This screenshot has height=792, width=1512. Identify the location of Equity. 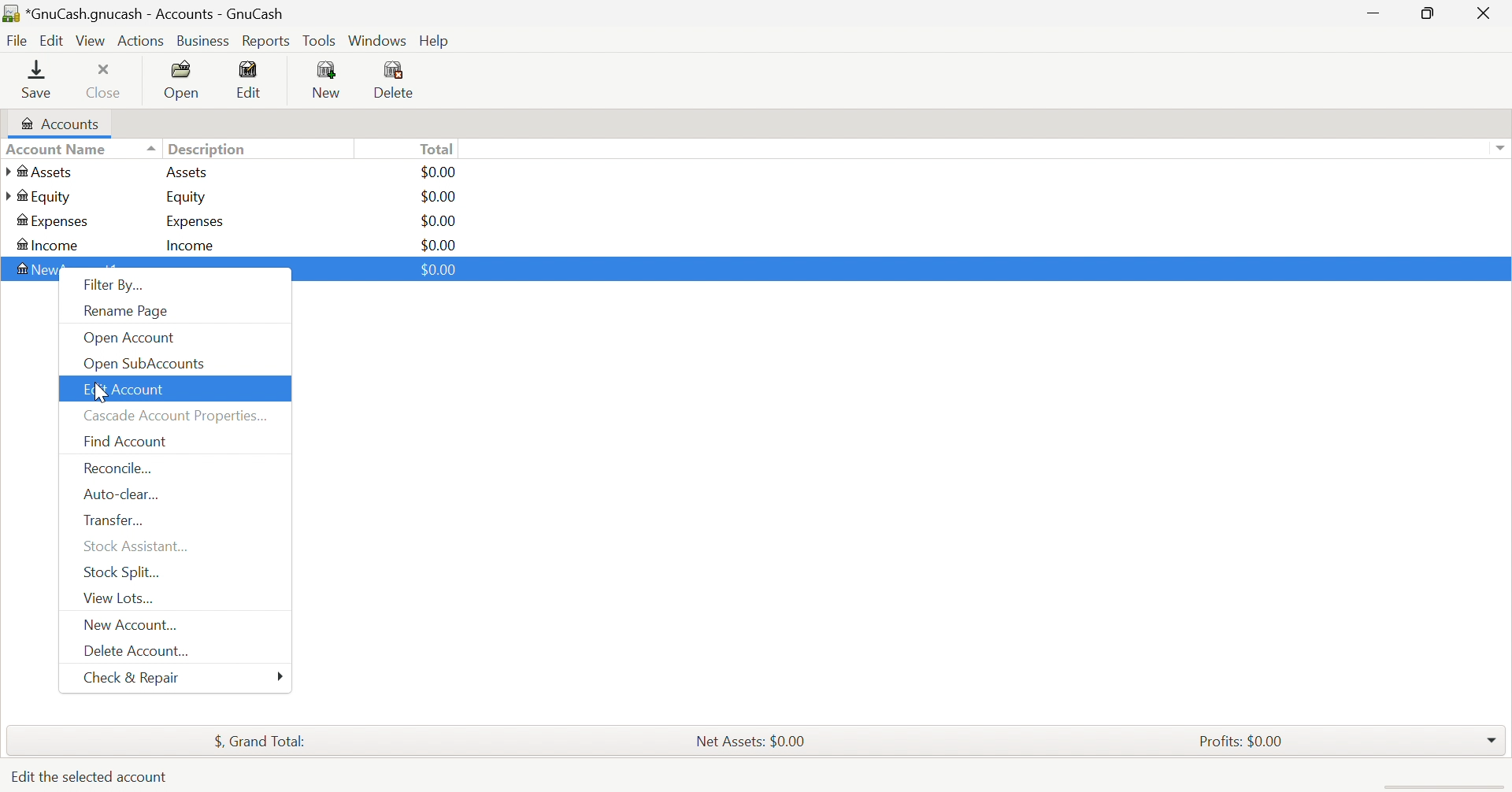
(38, 197).